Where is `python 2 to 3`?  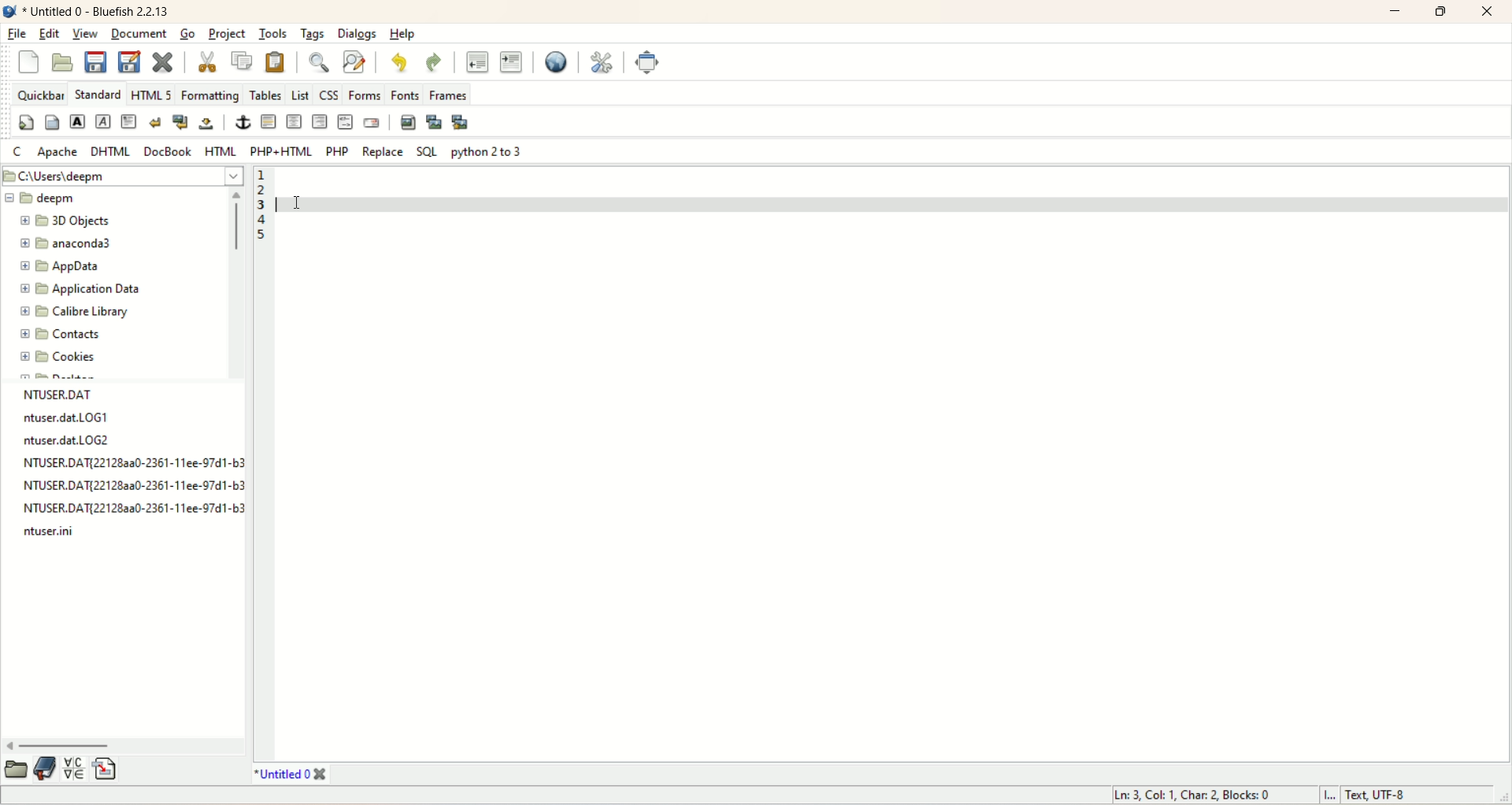 python 2 to 3 is located at coordinates (485, 152).